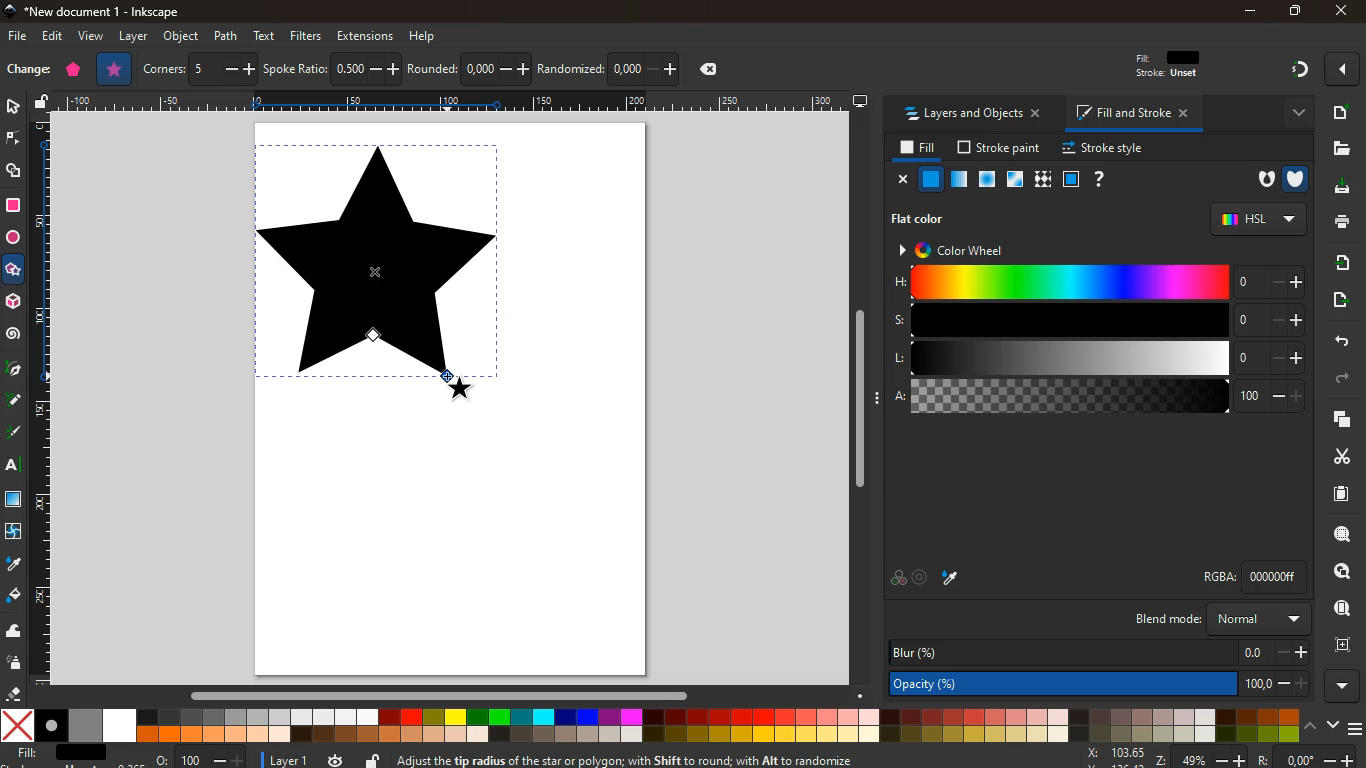 This screenshot has height=768, width=1366. I want to click on Draw scale, so click(455, 103).